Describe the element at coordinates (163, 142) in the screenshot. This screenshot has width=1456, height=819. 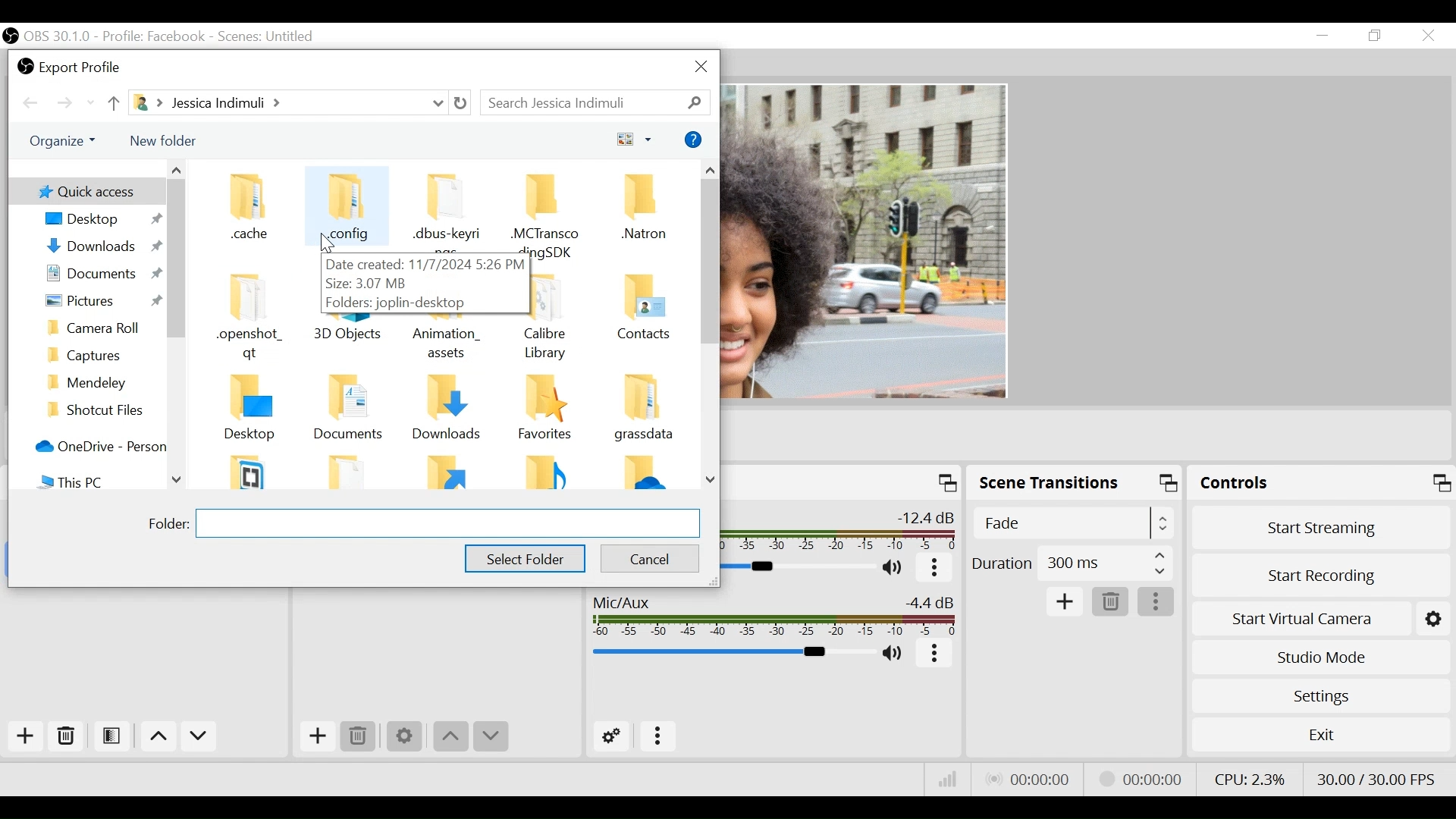
I see `New Folder` at that location.